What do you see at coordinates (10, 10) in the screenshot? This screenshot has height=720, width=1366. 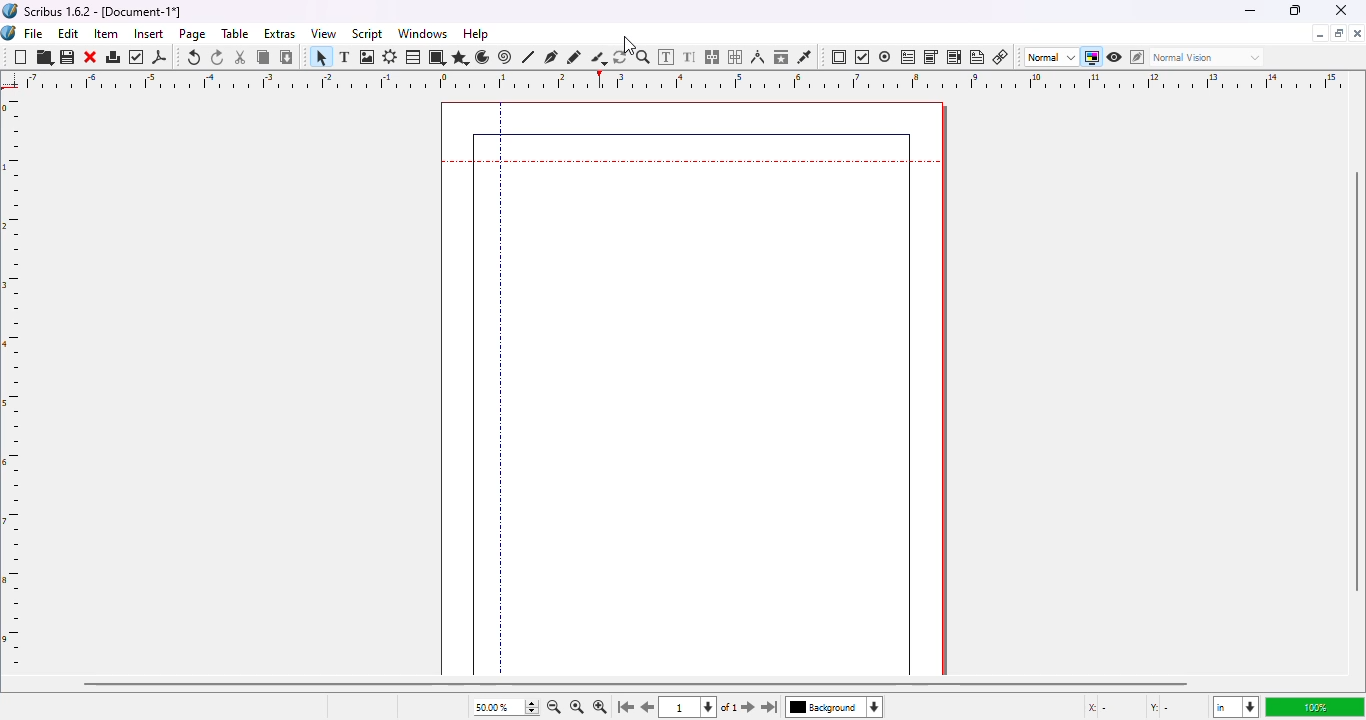 I see `logo` at bounding box center [10, 10].